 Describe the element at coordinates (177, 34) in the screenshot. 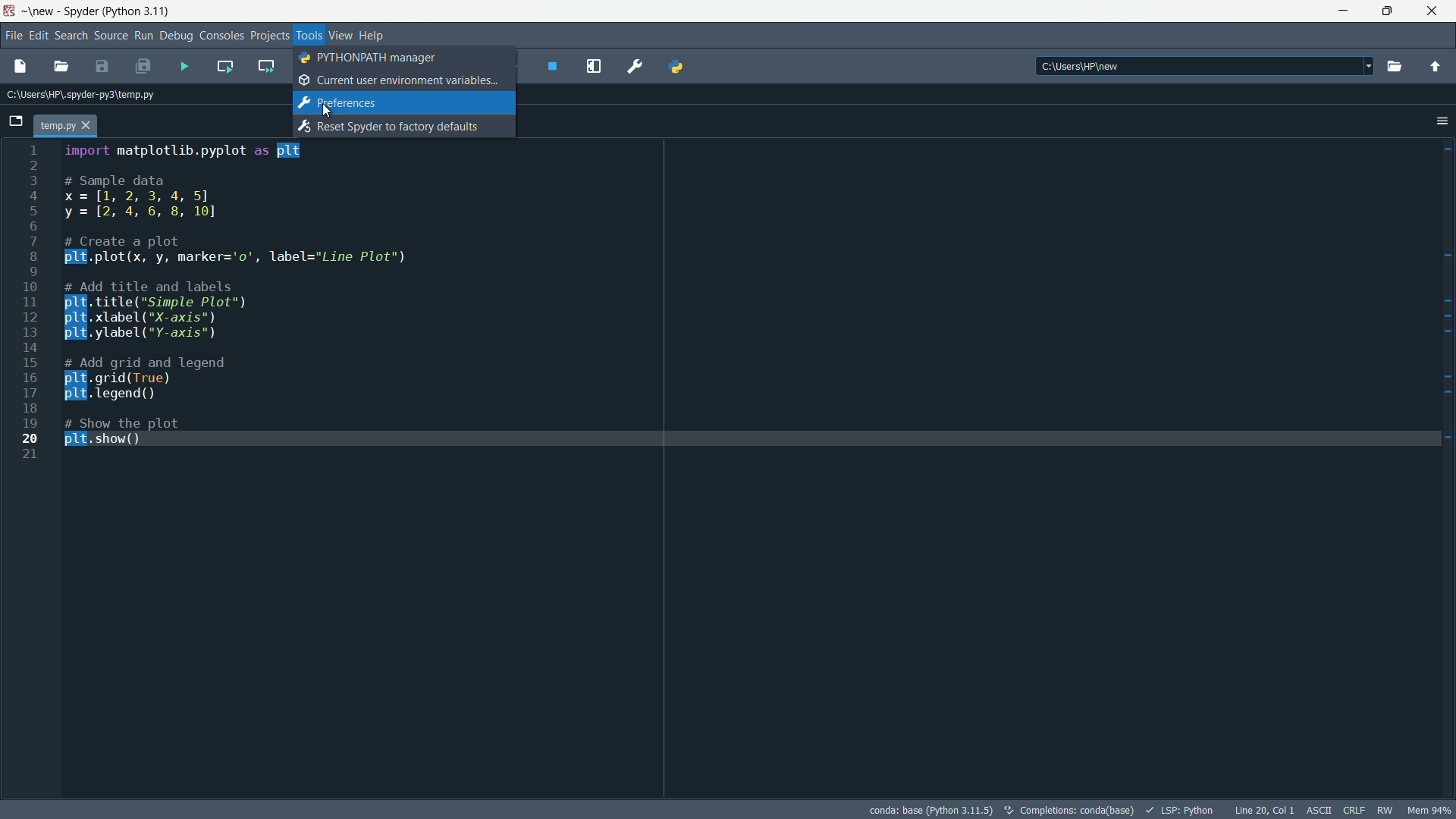

I see `debug` at that location.